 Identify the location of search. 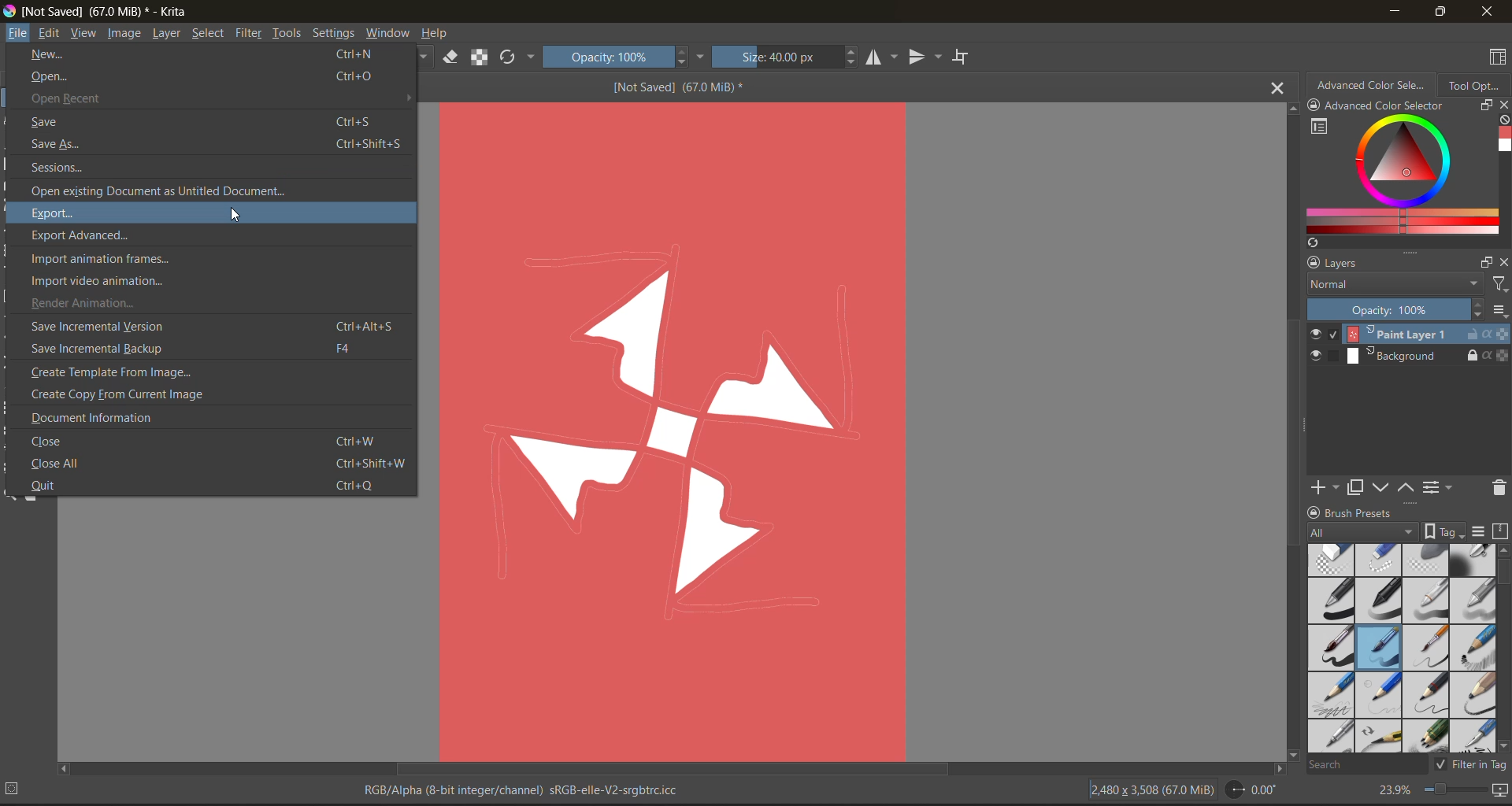
(1368, 765).